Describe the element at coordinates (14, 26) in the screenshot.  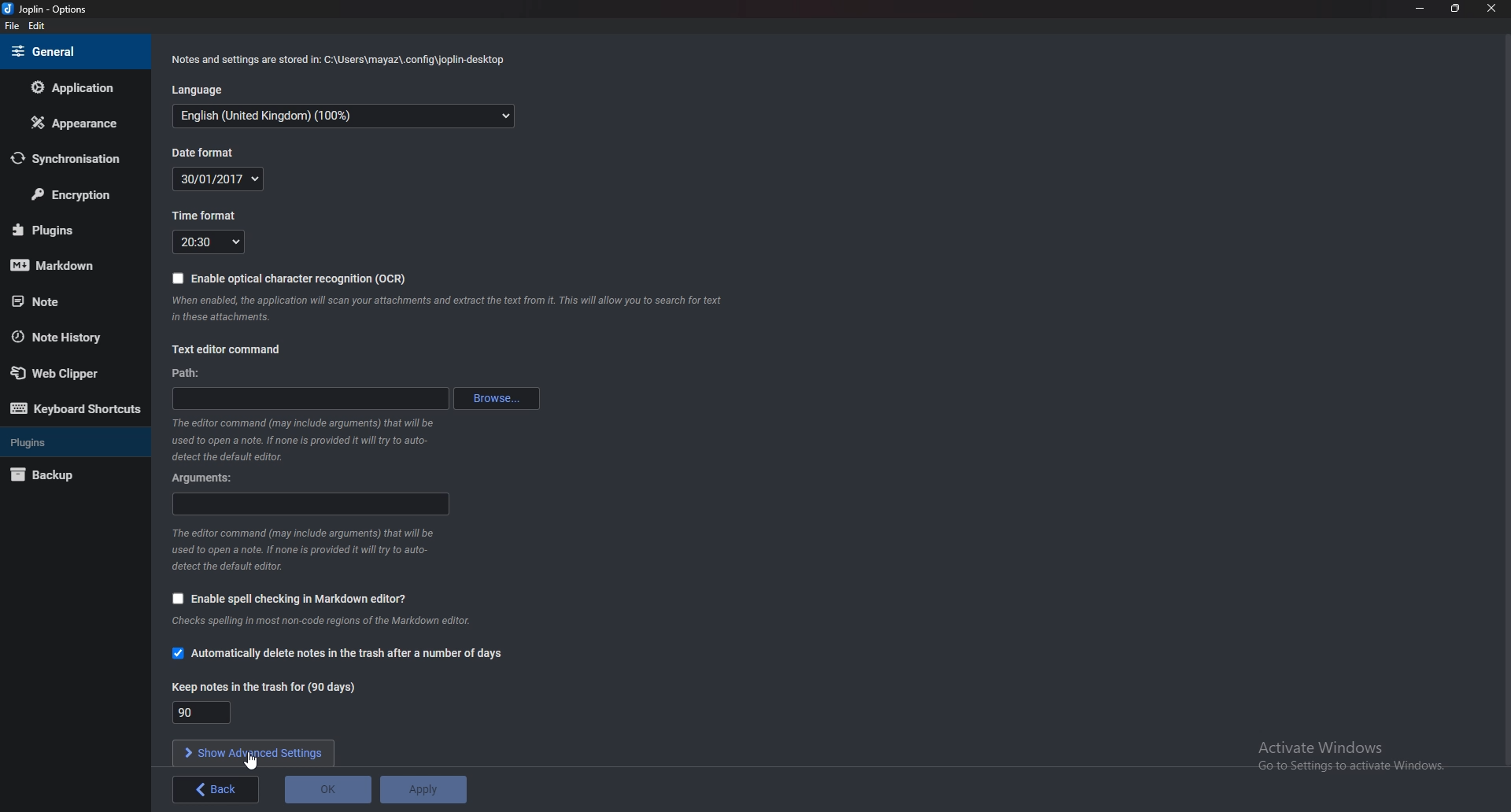
I see `file` at that location.